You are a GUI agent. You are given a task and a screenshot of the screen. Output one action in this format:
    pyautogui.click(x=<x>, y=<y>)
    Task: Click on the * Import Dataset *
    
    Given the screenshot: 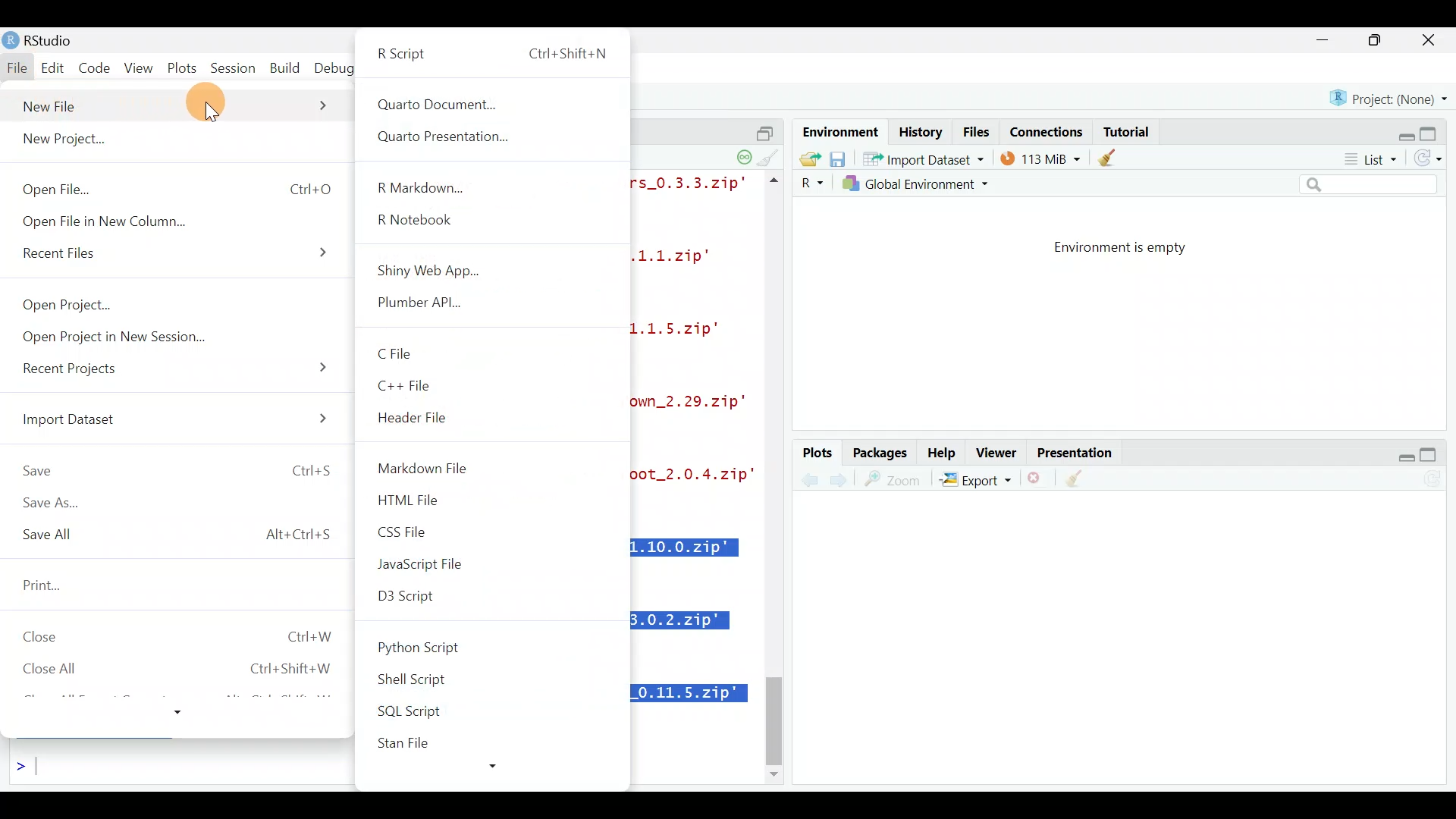 What is the action you would take?
    pyautogui.click(x=919, y=159)
    